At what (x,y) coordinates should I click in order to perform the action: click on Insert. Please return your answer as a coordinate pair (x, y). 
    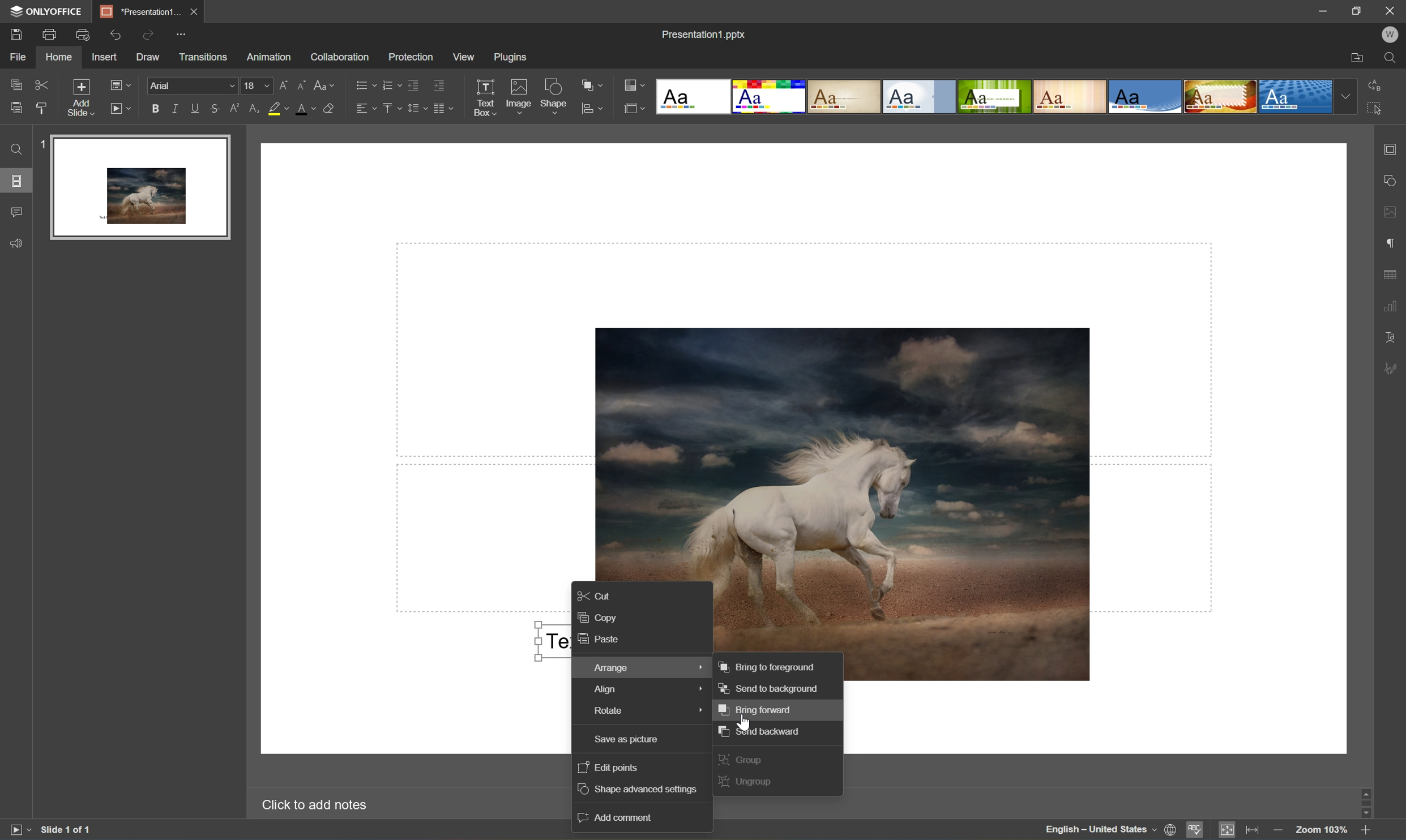
    Looking at the image, I should click on (105, 57).